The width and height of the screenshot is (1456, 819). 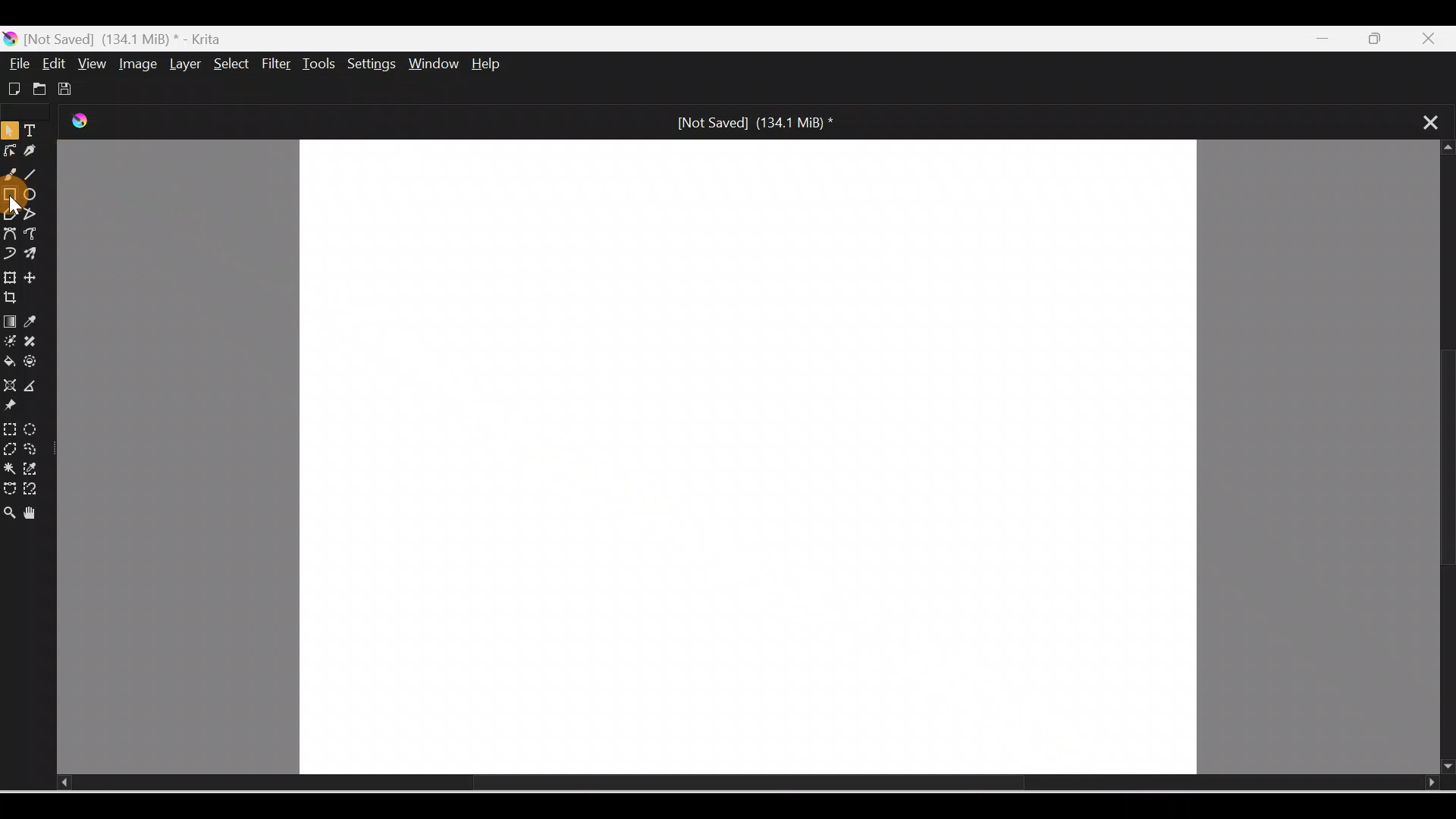 What do you see at coordinates (12, 87) in the screenshot?
I see `Create new document` at bounding box center [12, 87].